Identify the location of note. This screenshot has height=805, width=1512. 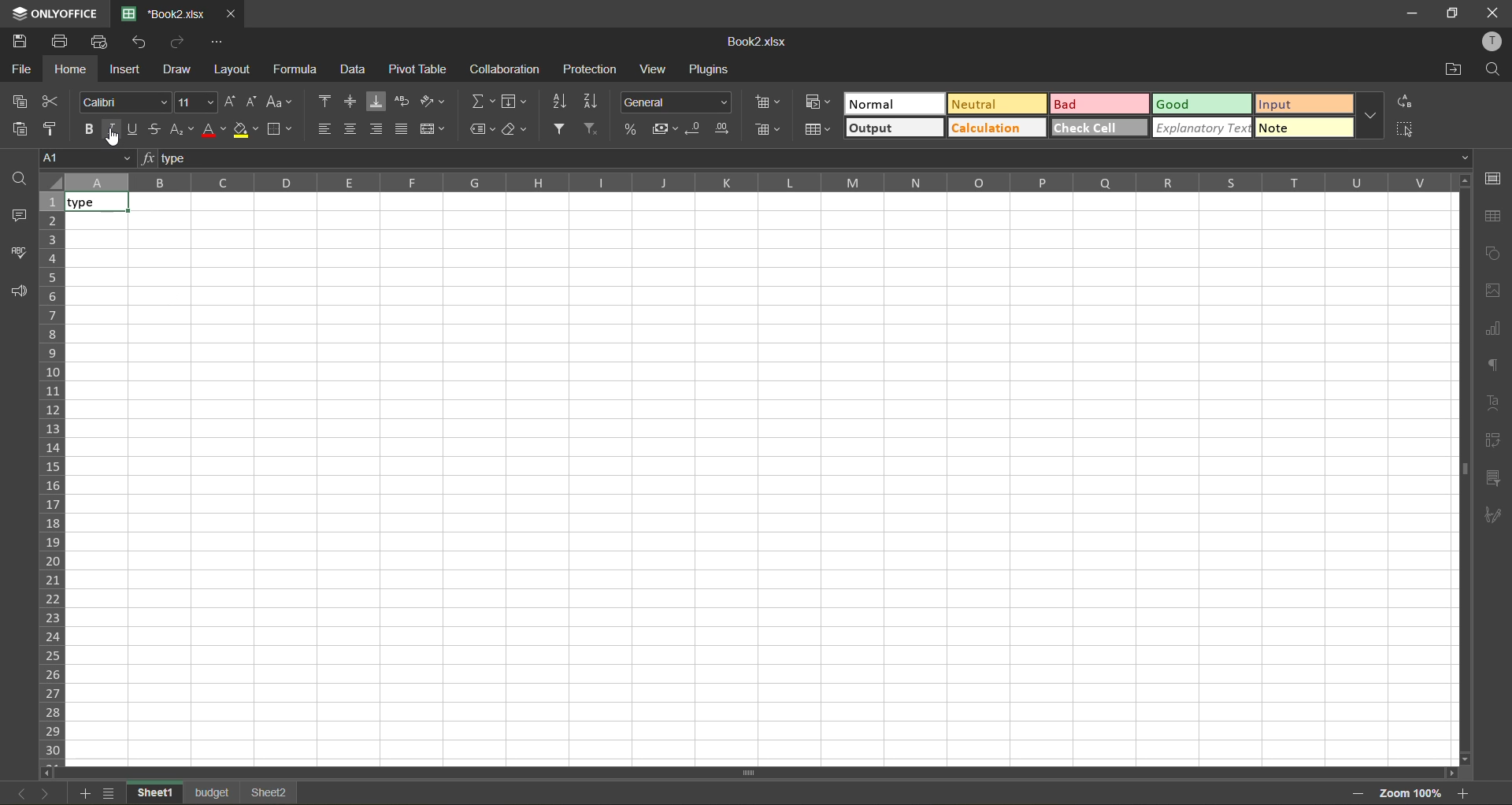
(1304, 130).